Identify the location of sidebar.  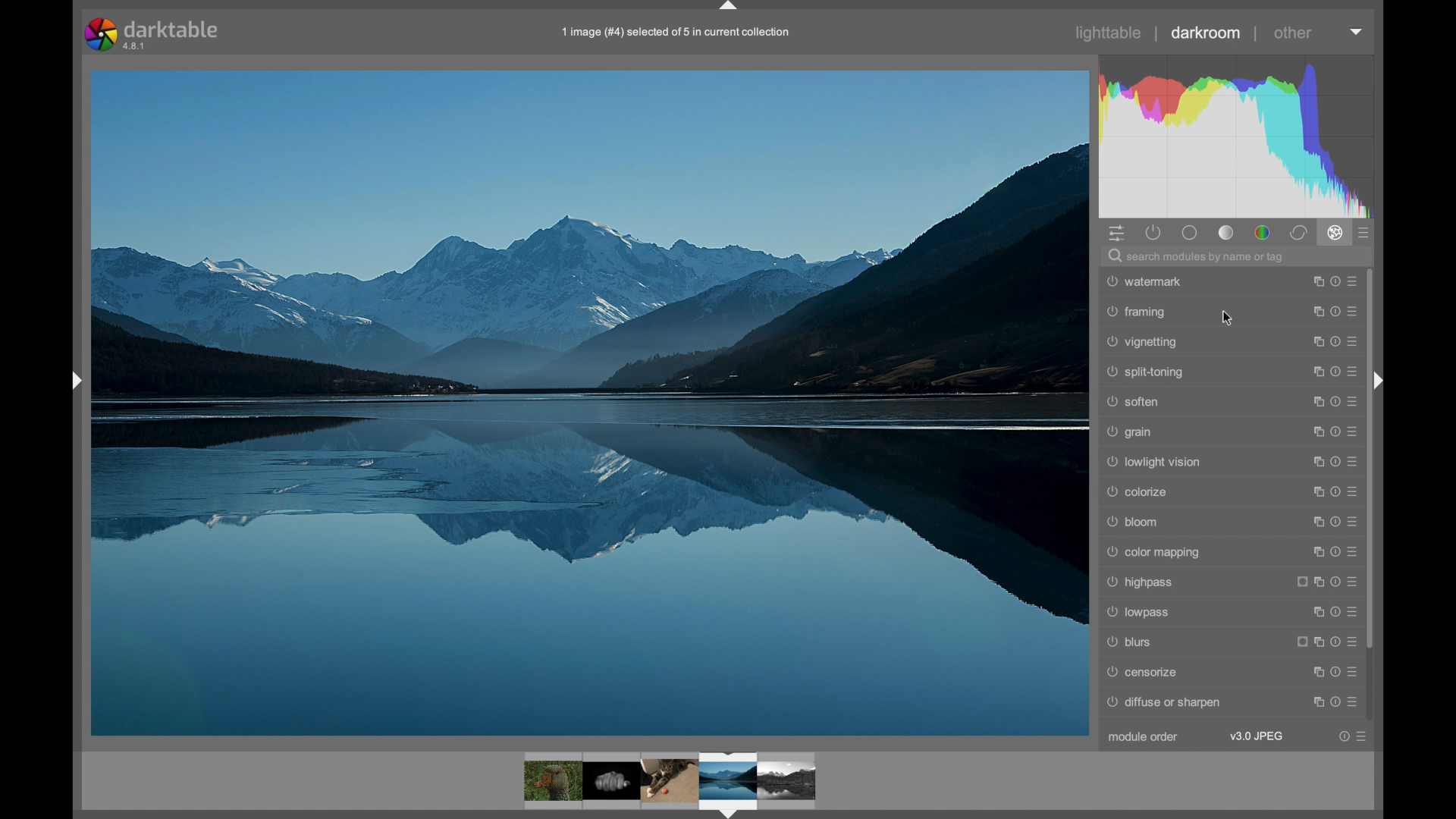
(1382, 381).